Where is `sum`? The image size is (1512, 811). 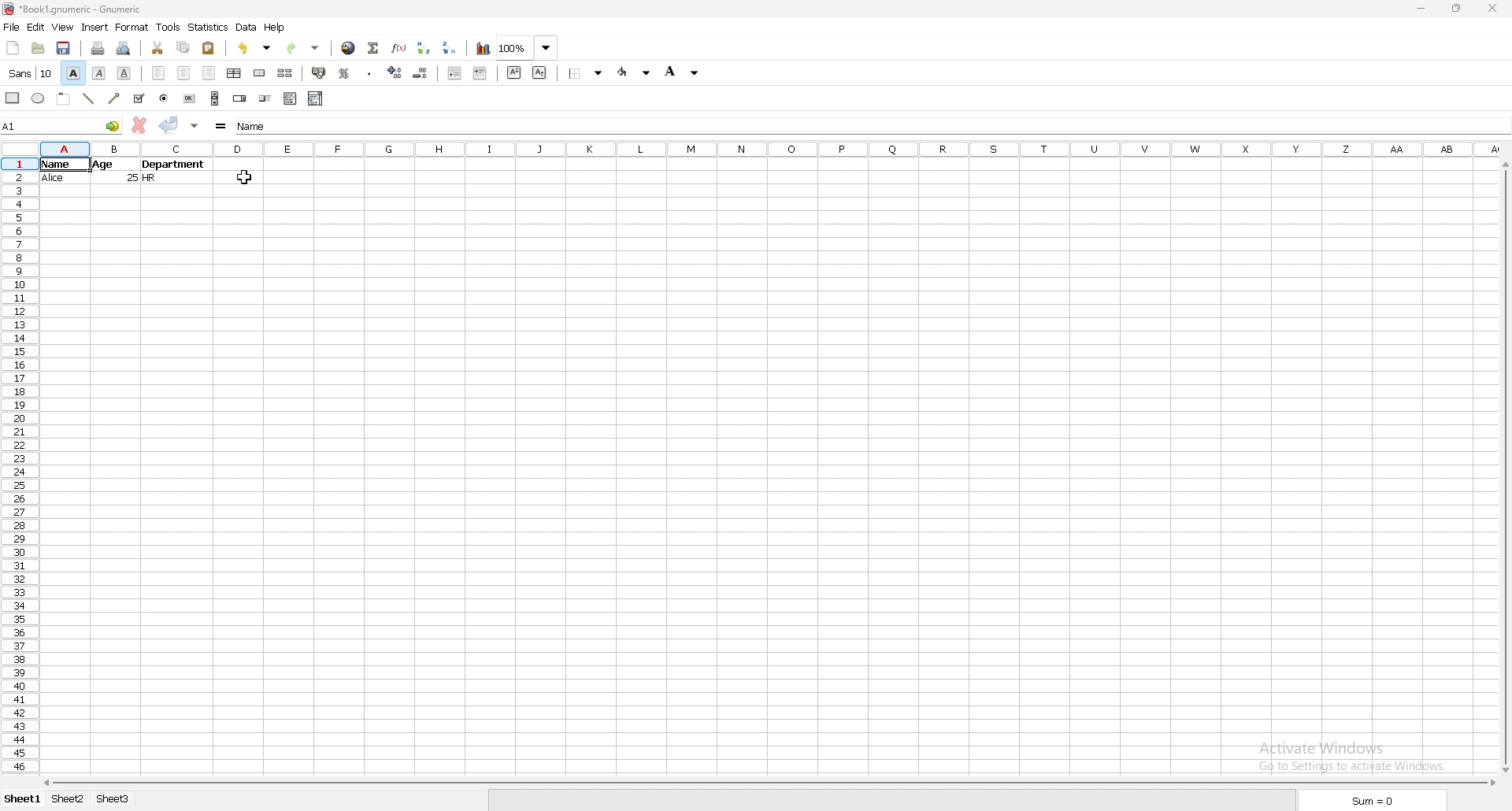
sum is located at coordinates (1373, 802).